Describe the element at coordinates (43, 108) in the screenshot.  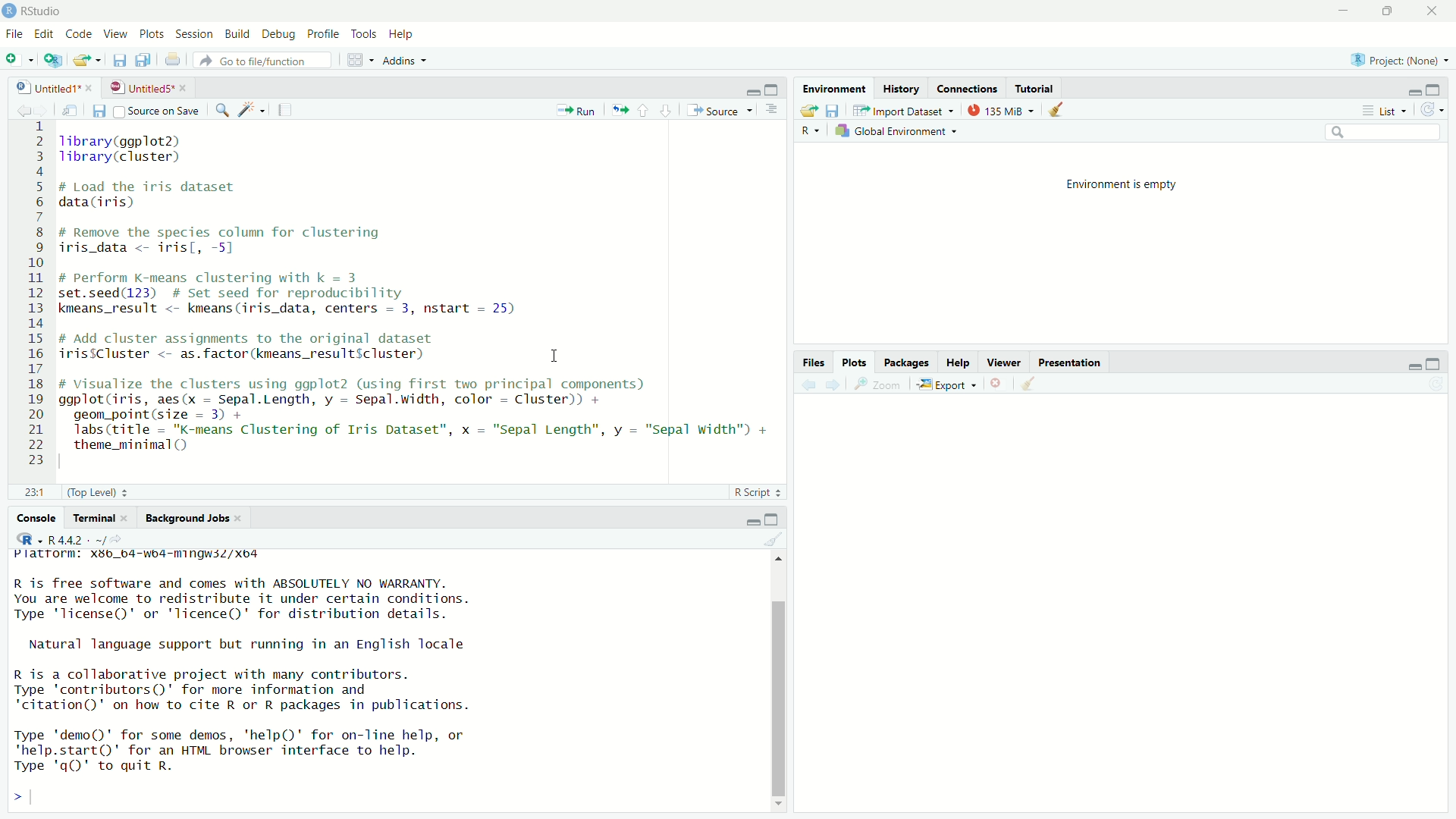
I see `go forward to the next source location` at that location.